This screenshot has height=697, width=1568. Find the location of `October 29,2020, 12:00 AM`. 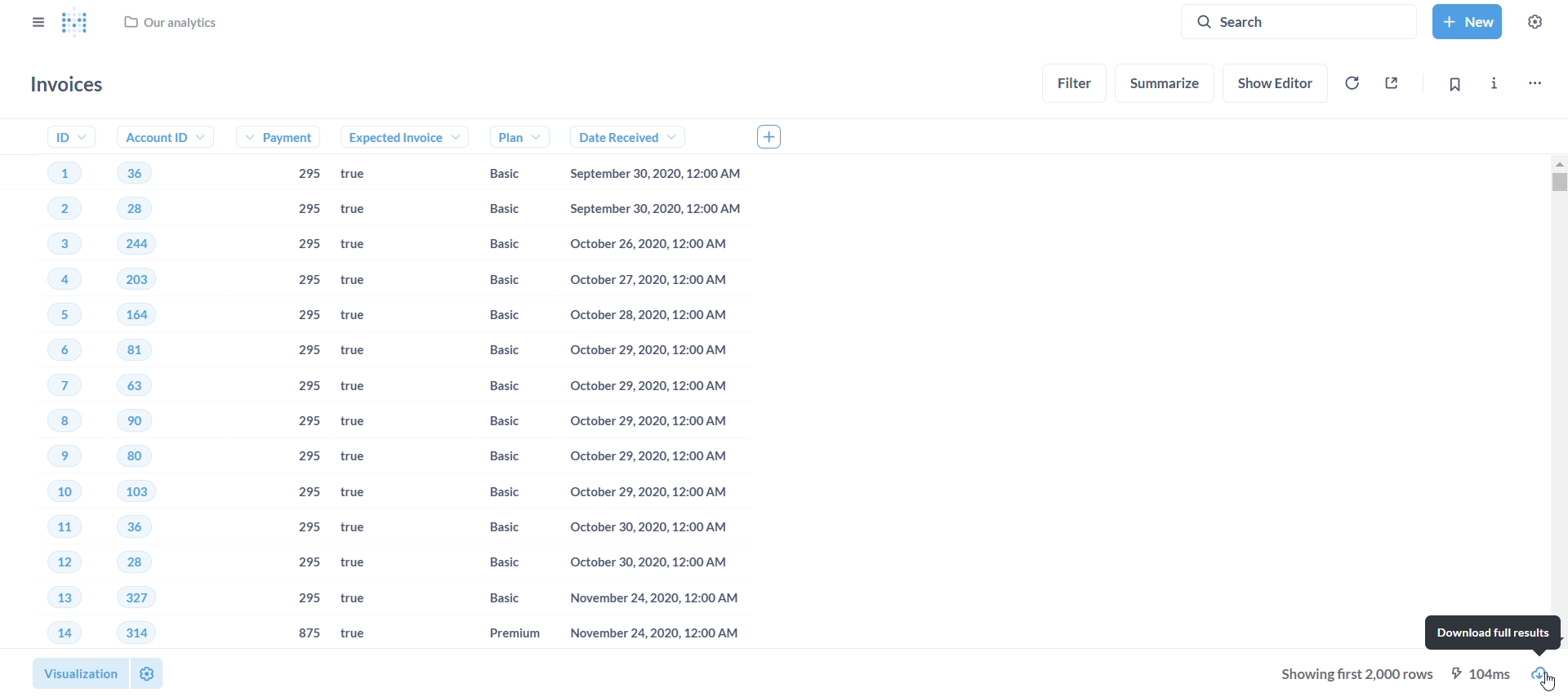

October 29,2020, 12:00 AM is located at coordinates (655, 353).